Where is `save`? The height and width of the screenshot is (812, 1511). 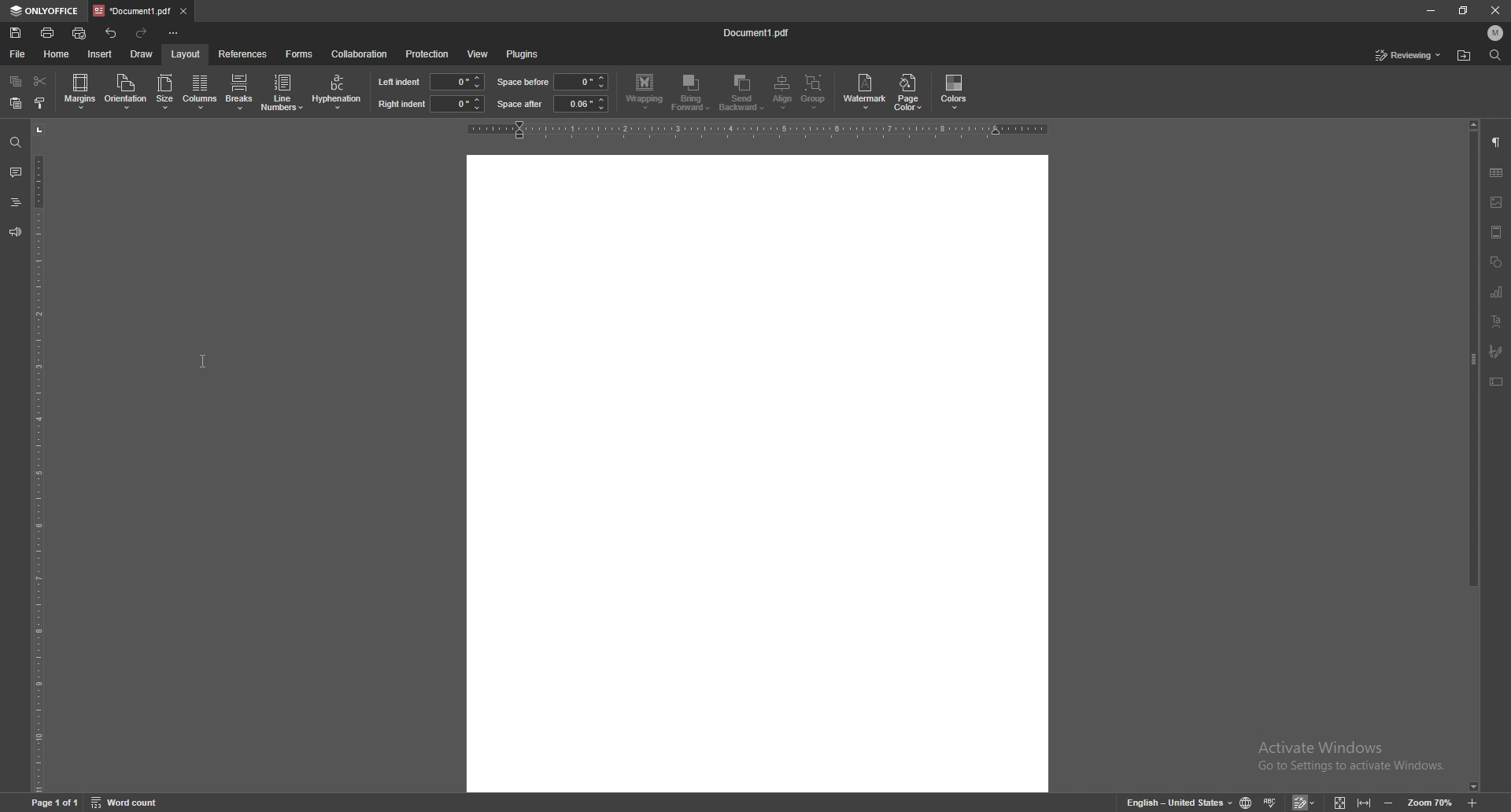 save is located at coordinates (17, 32).